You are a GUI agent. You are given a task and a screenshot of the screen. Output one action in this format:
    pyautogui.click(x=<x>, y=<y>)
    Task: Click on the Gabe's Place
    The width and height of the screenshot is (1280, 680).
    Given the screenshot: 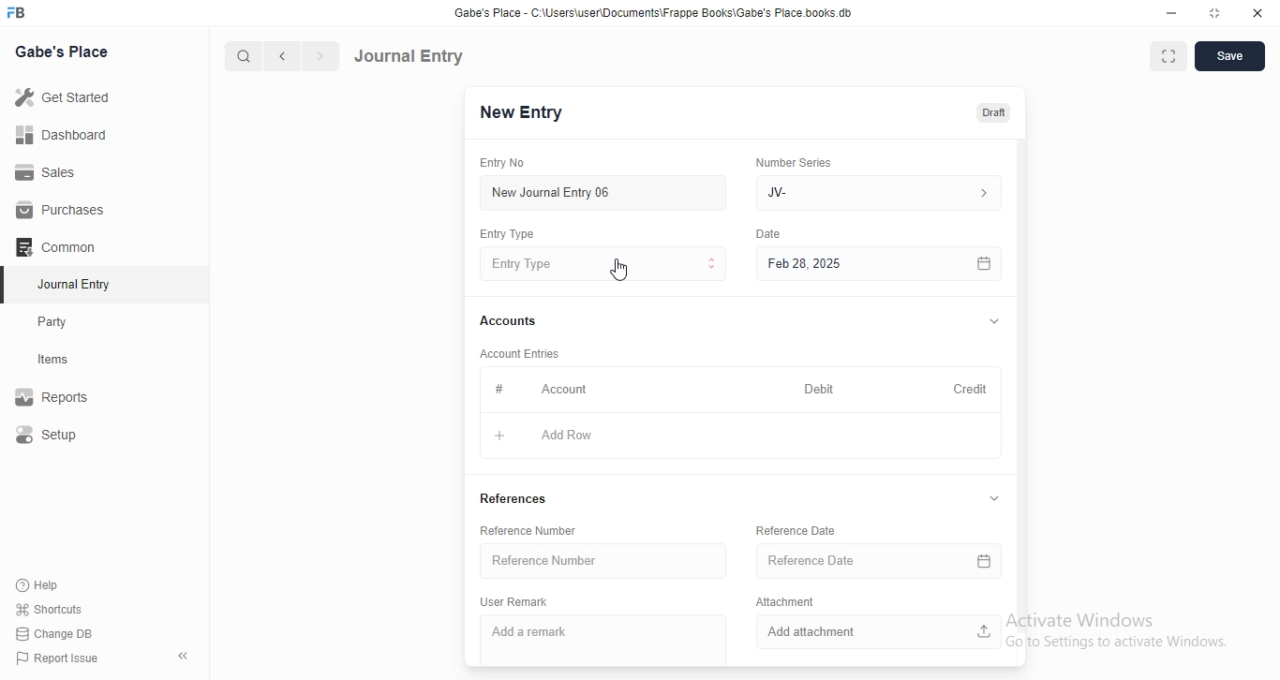 What is the action you would take?
    pyautogui.click(x=62, y=51)
    